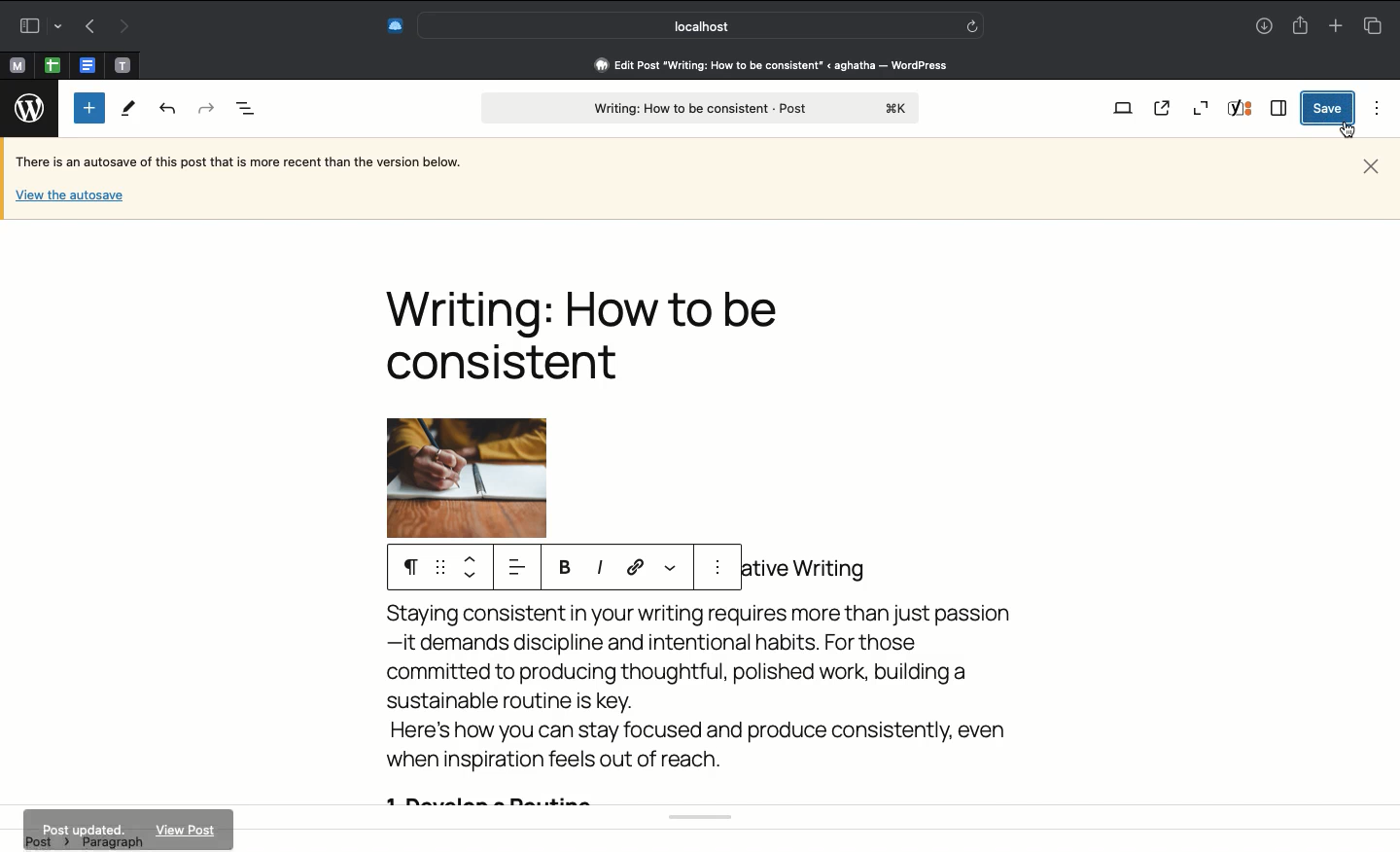 The height and width of the screenshot is (852, 1400). What do you see at coordinates (1334, 25) in the screenshot?
I see `Add new tab` at bounding box center [1334, 25].